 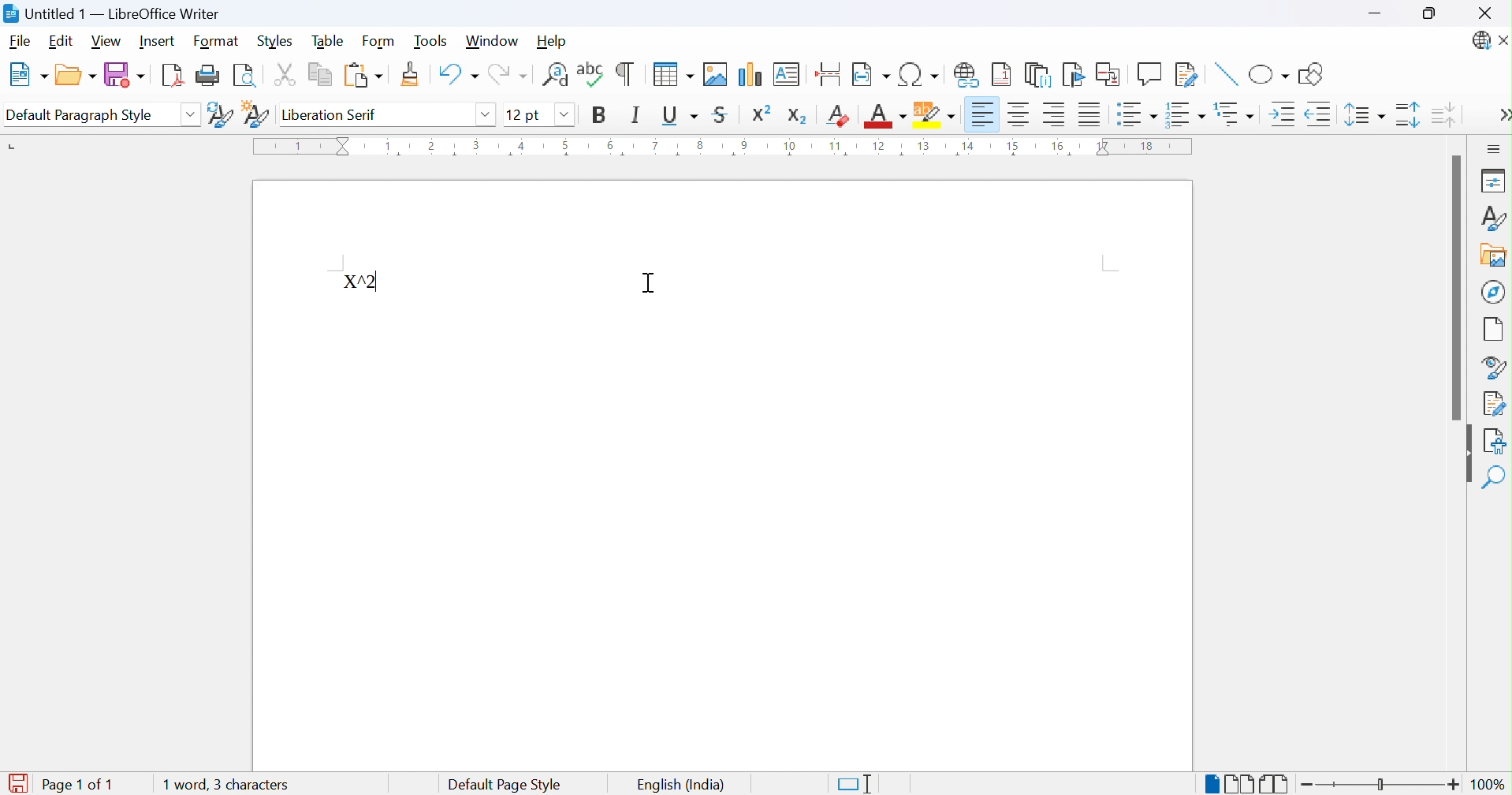 What do you see at coordinates (58, 785) in the screenshot?
I see `Page 1 of 1` at bounding box center [58, 785].